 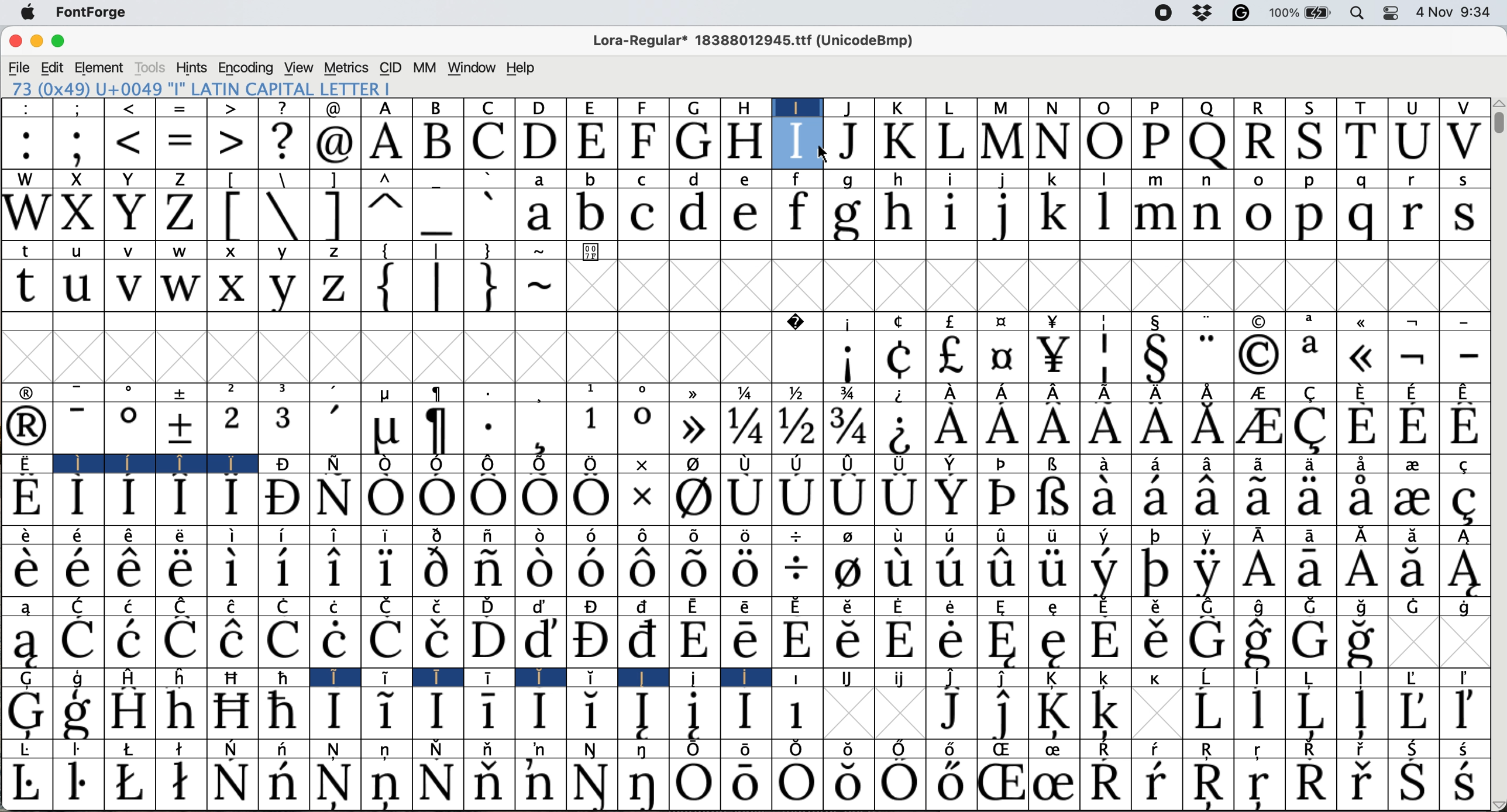 What do you see at coordinates (849, 463) in the screenshot?
I see `symbol` at bounding box center [849, 463].